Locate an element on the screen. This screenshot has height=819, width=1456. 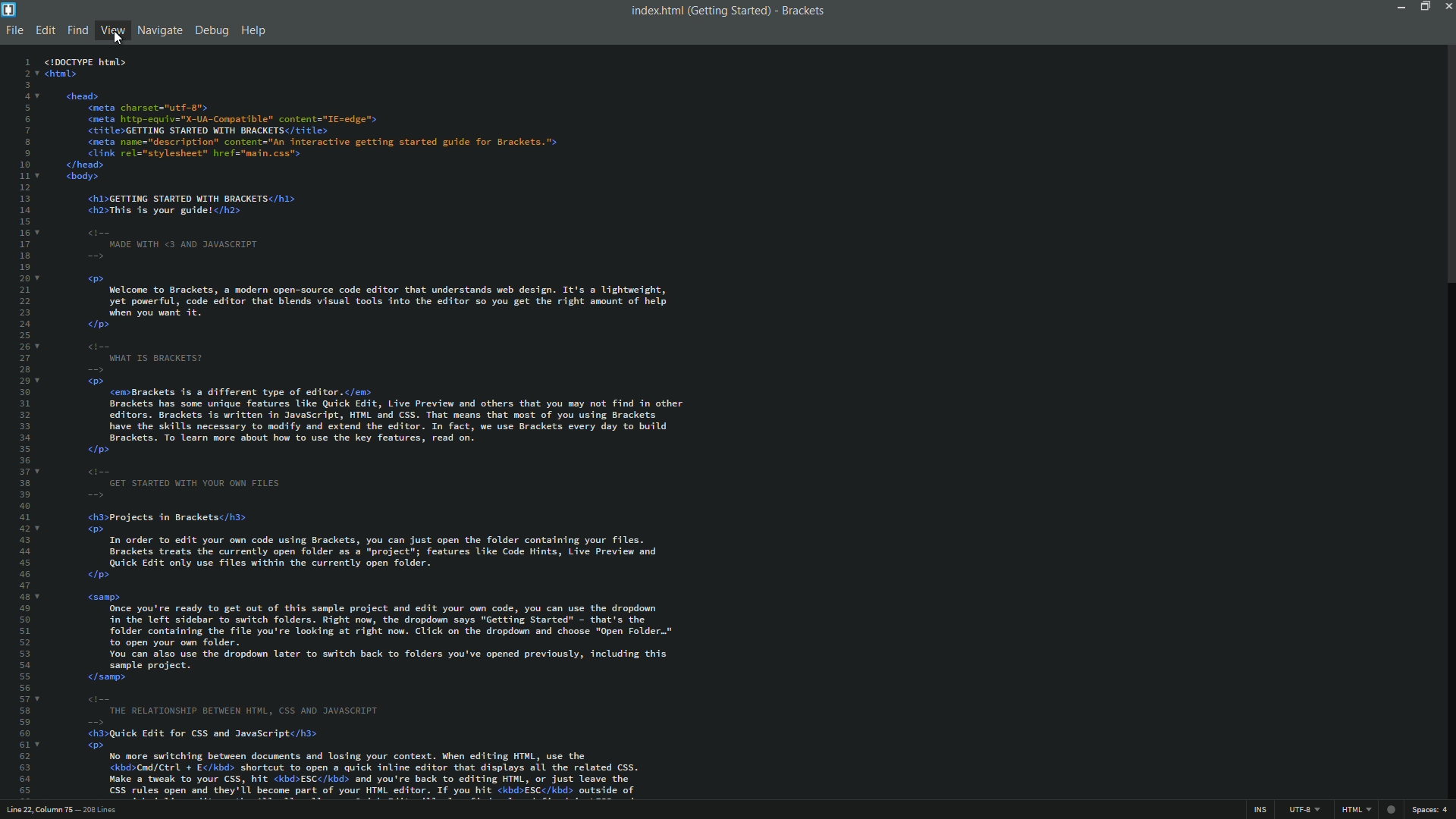
HTML is located at coordinates (1356, 809).